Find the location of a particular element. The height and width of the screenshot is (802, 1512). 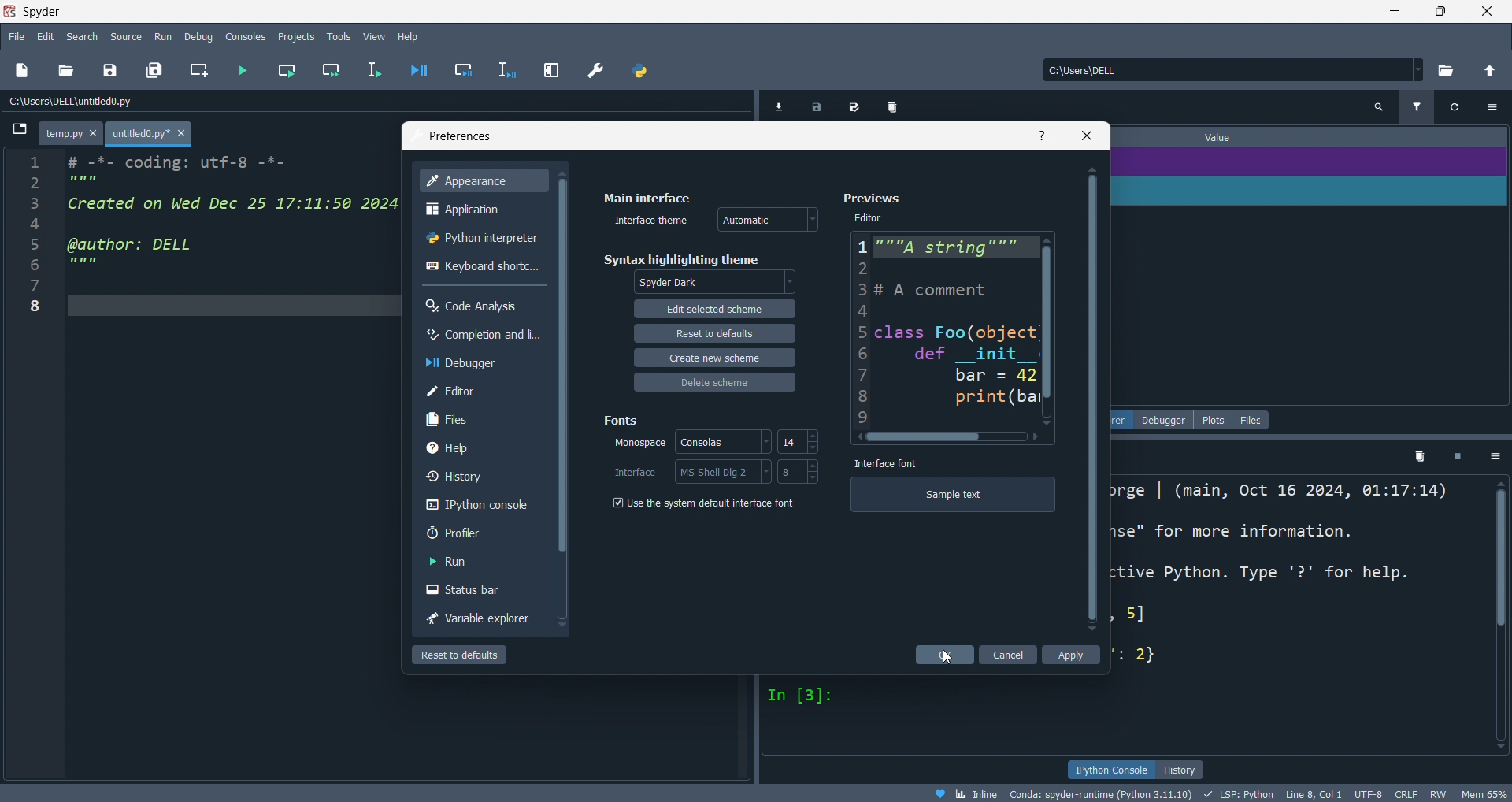

completion is located at coordinates (484, 334).